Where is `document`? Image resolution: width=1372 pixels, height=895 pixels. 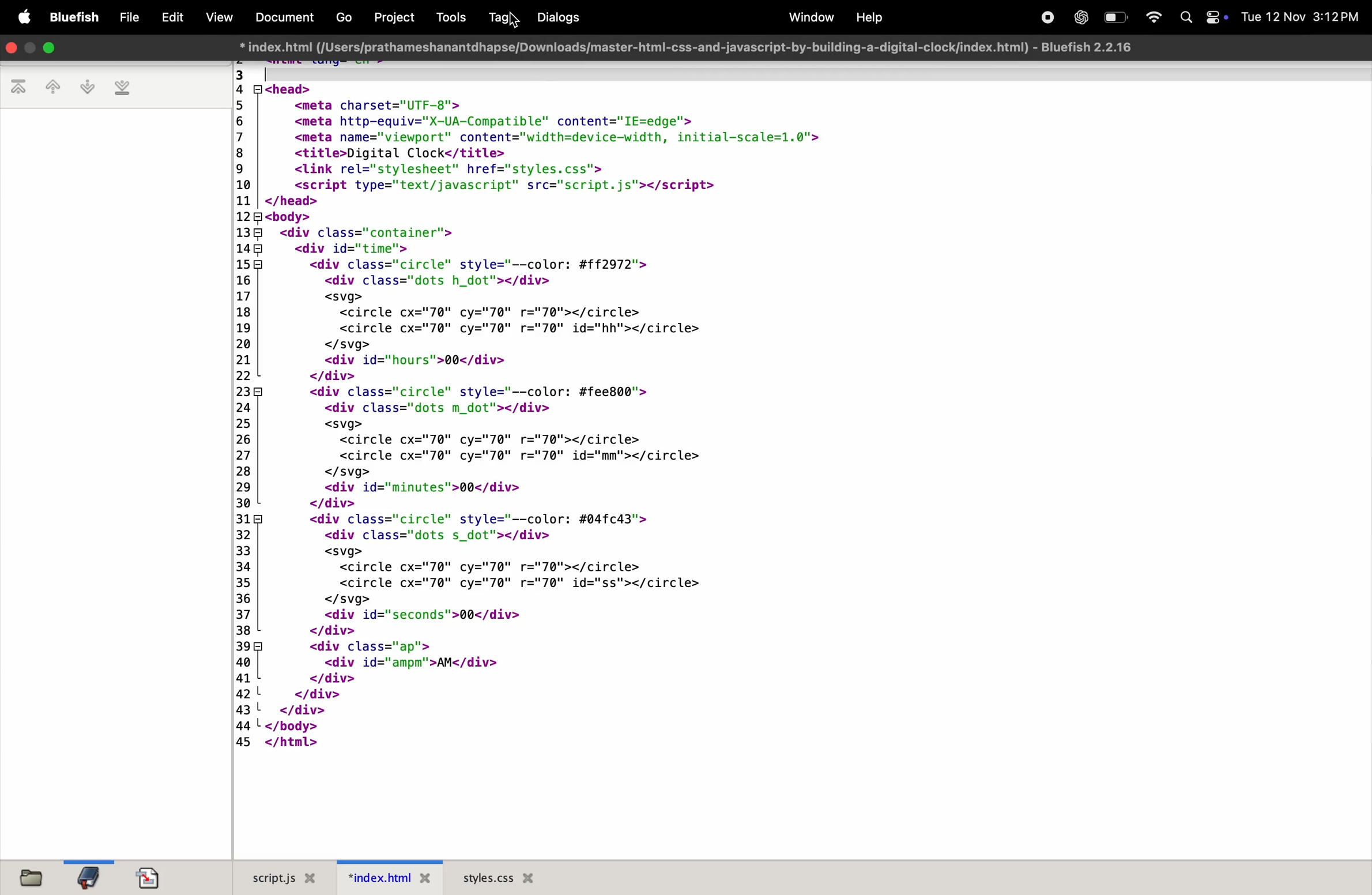 document is located at coordinates (149, 878).